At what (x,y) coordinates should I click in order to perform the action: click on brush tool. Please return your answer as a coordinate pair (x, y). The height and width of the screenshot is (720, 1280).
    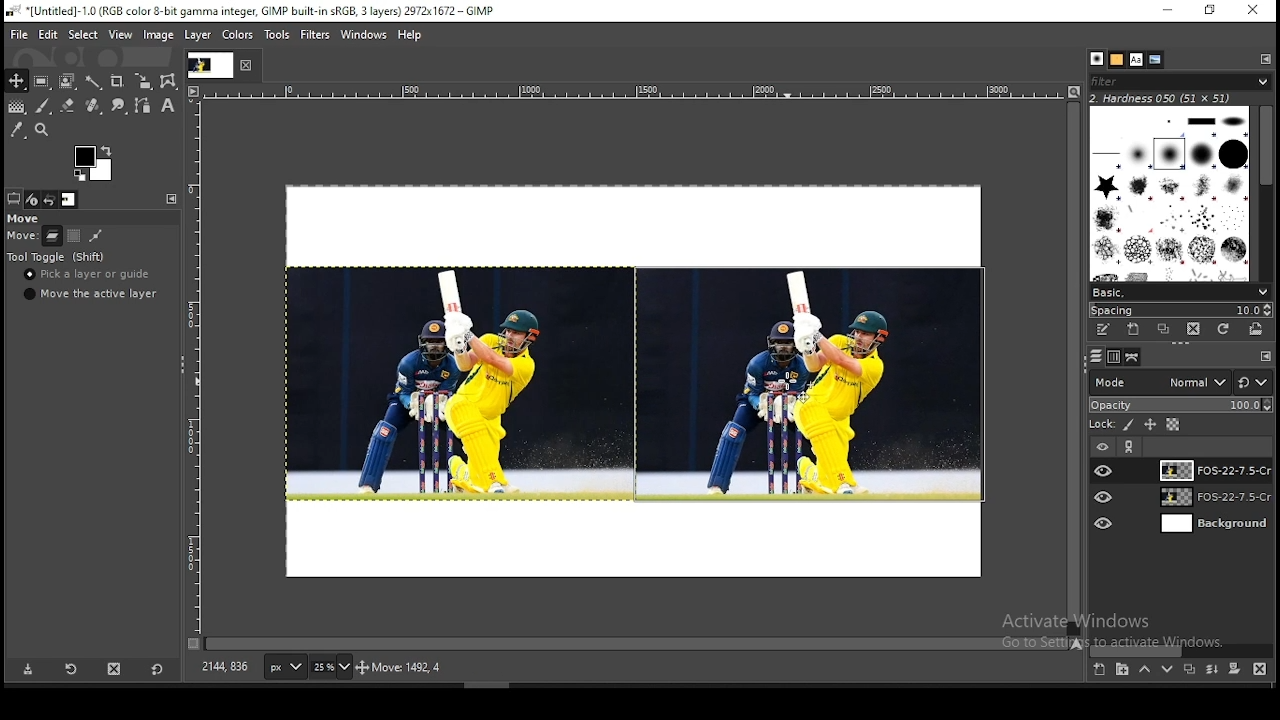
    Looking at the image, I should click on (43, 106).